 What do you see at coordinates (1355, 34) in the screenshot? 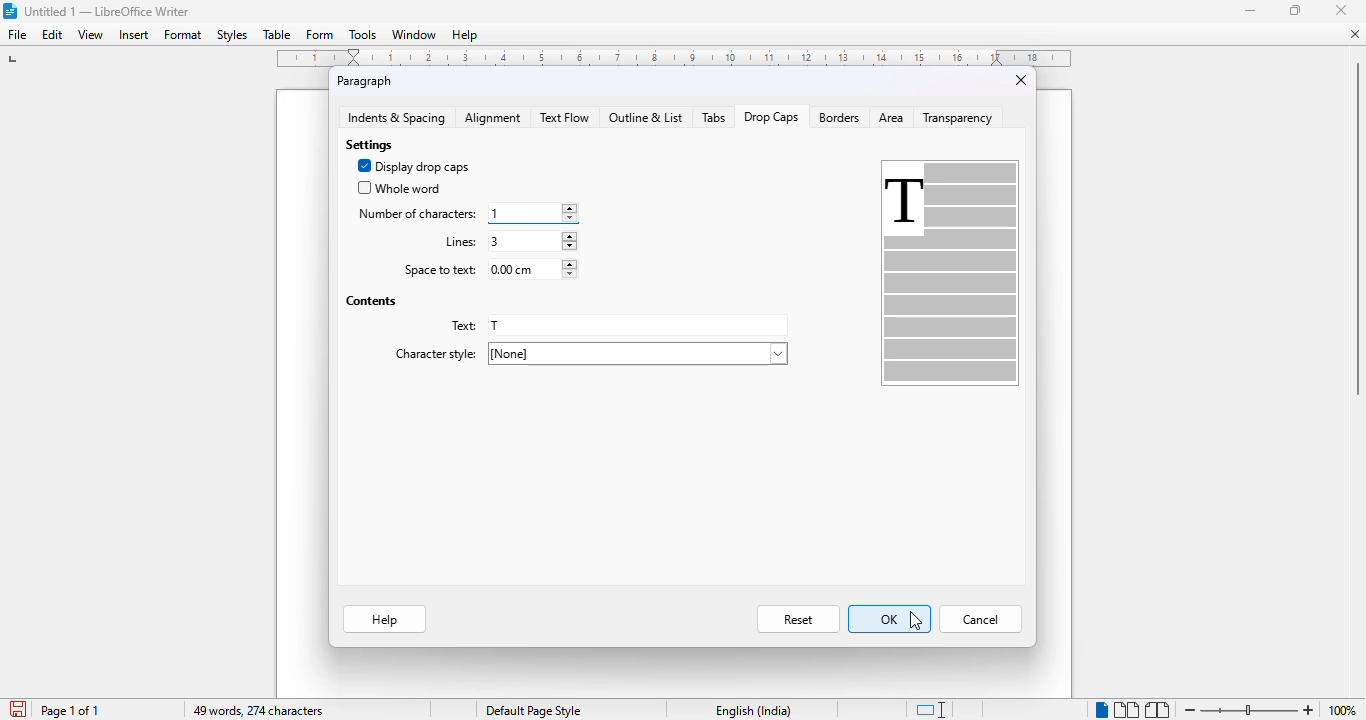
I see `close document` at bounding box center [1355, 34].